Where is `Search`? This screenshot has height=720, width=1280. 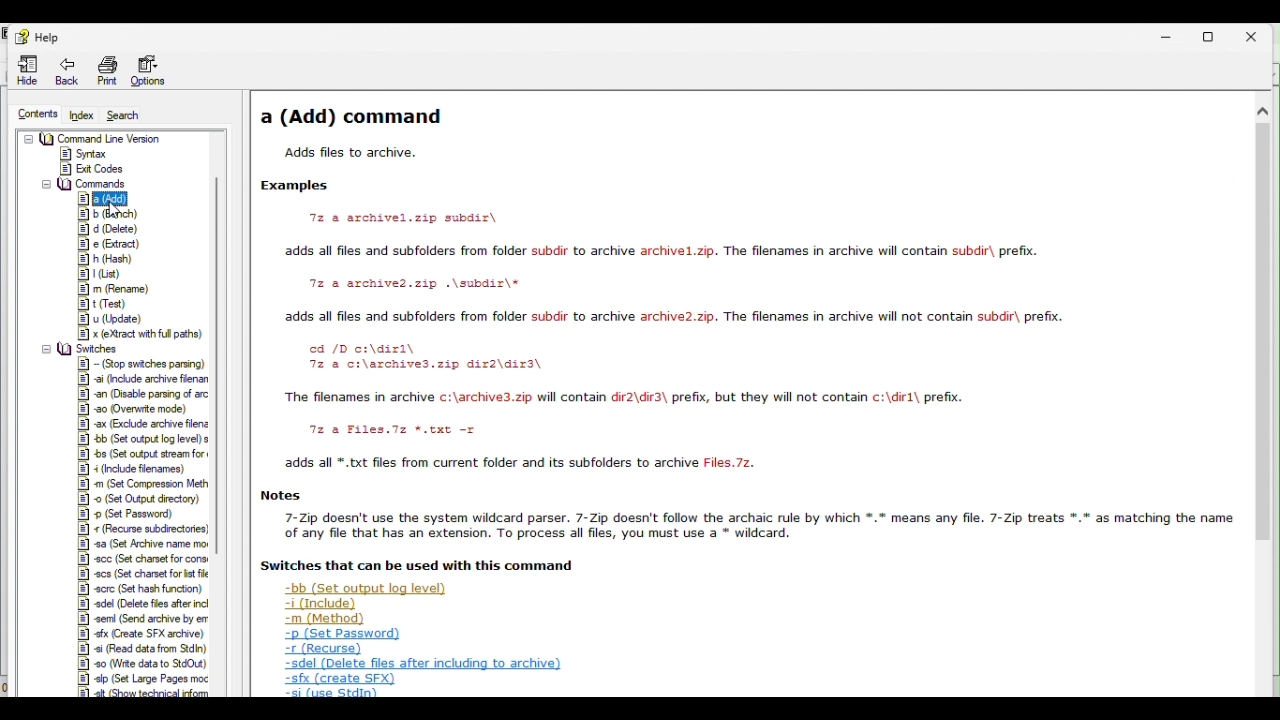
Search is located at coordinates (123, 114).